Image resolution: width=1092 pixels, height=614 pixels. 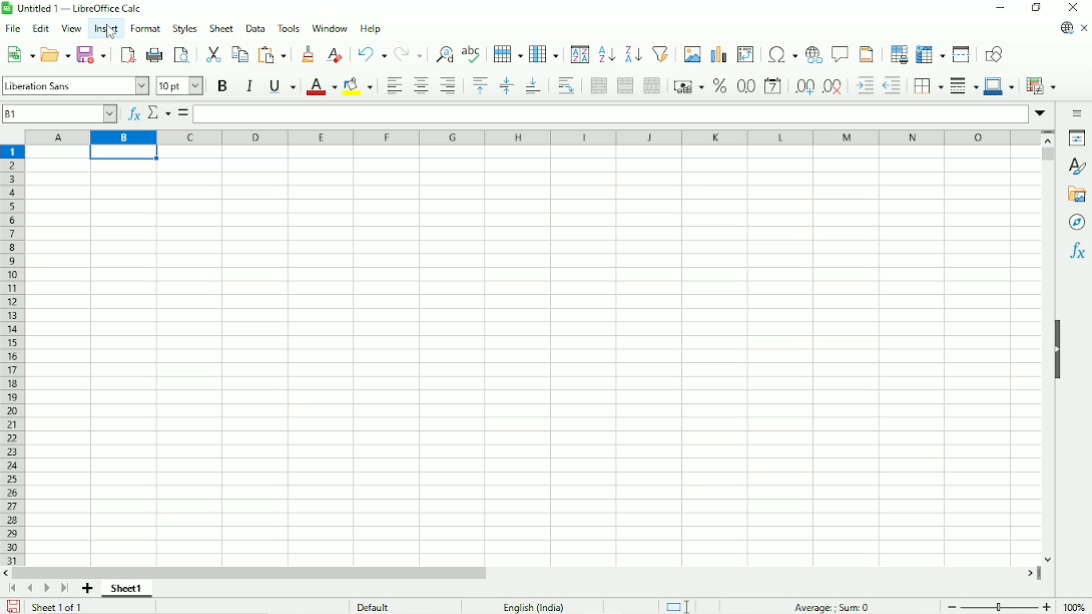 What do you see at coordinates (599, 86) in the screenshot?
I see `Merge and center` at bounding box center [599, 86].